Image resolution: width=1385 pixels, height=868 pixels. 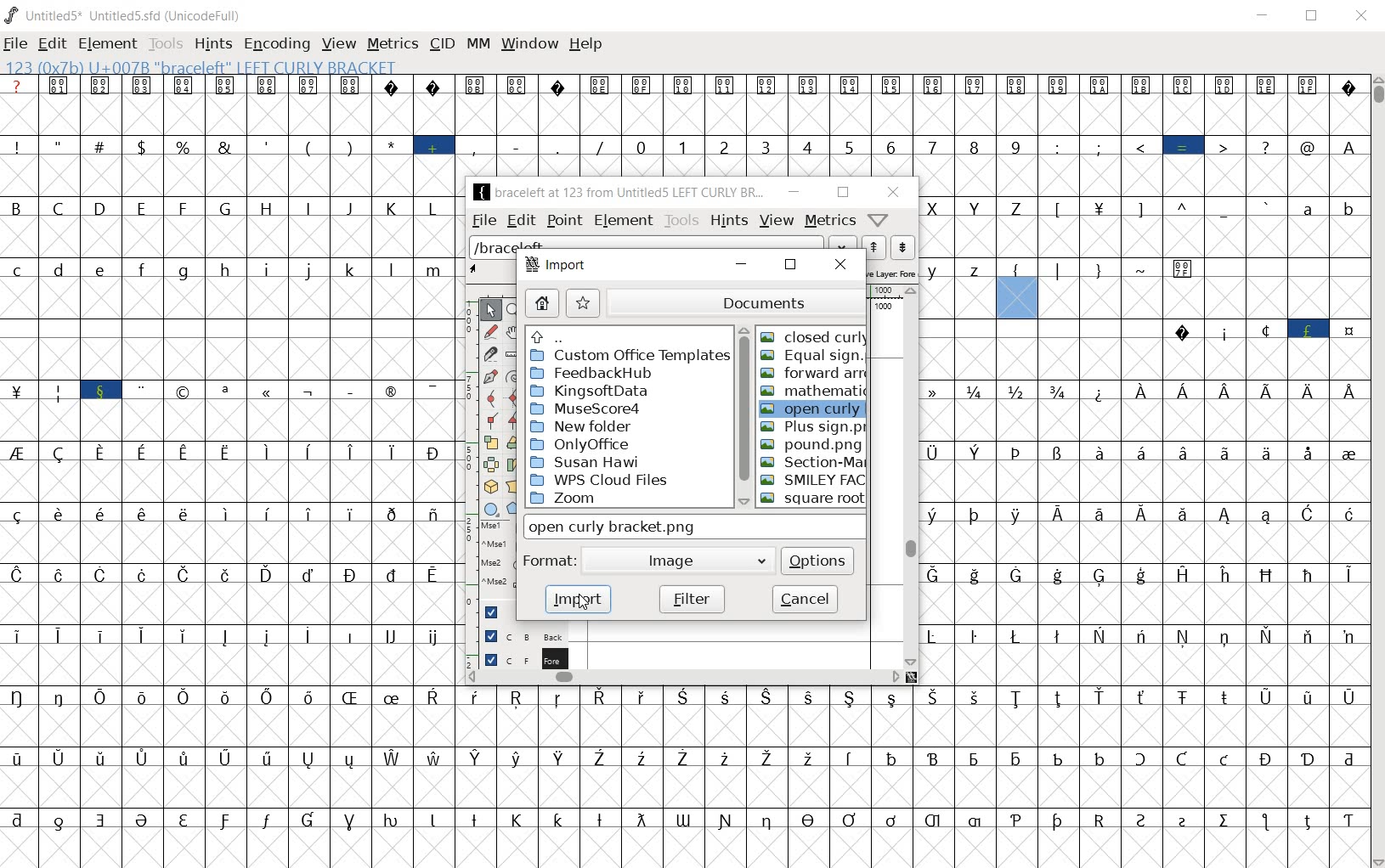 I want to click on help, so click(x=585, y=45).